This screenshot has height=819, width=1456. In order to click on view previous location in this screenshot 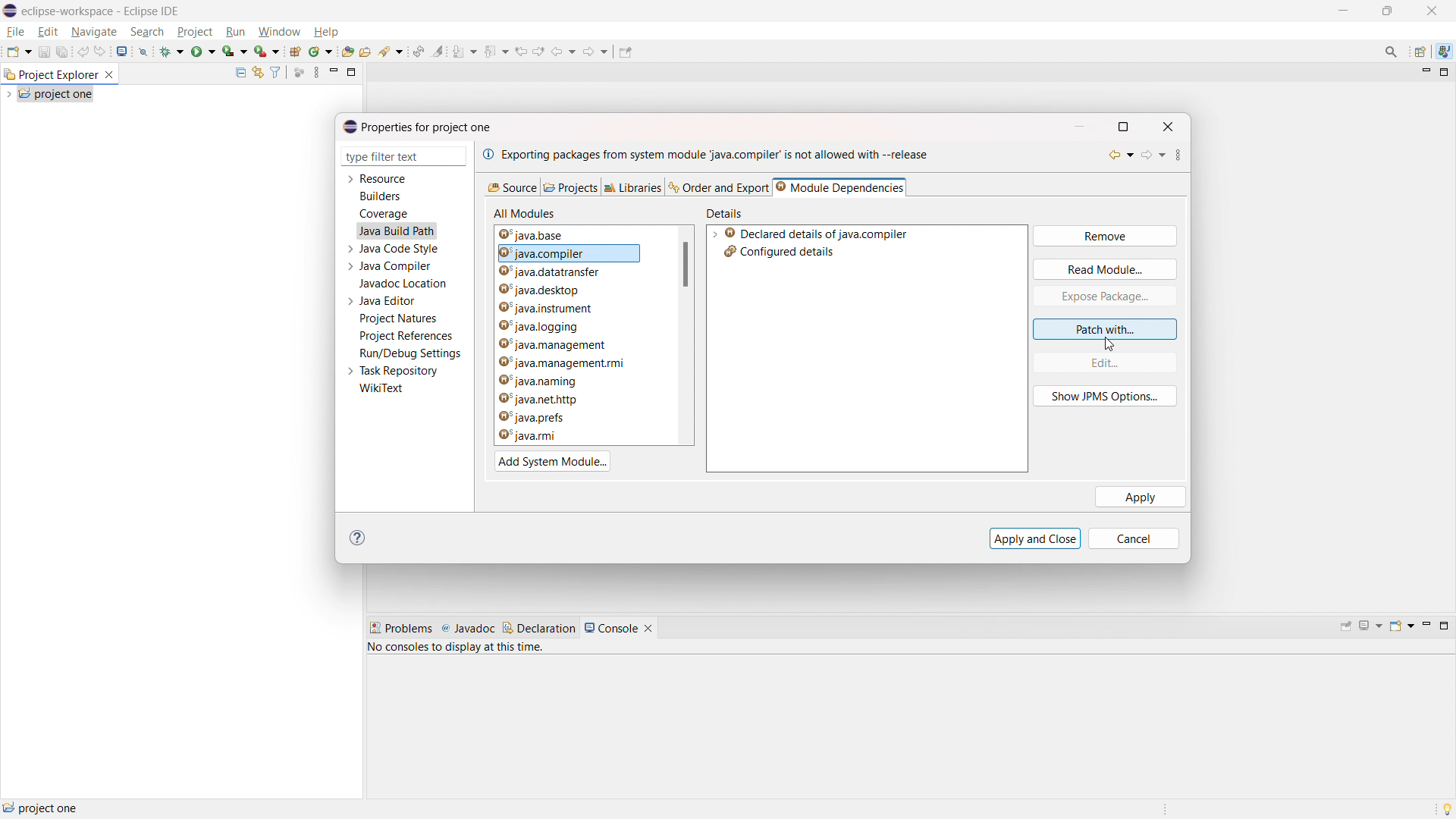, I will do `click(521, 50)`.